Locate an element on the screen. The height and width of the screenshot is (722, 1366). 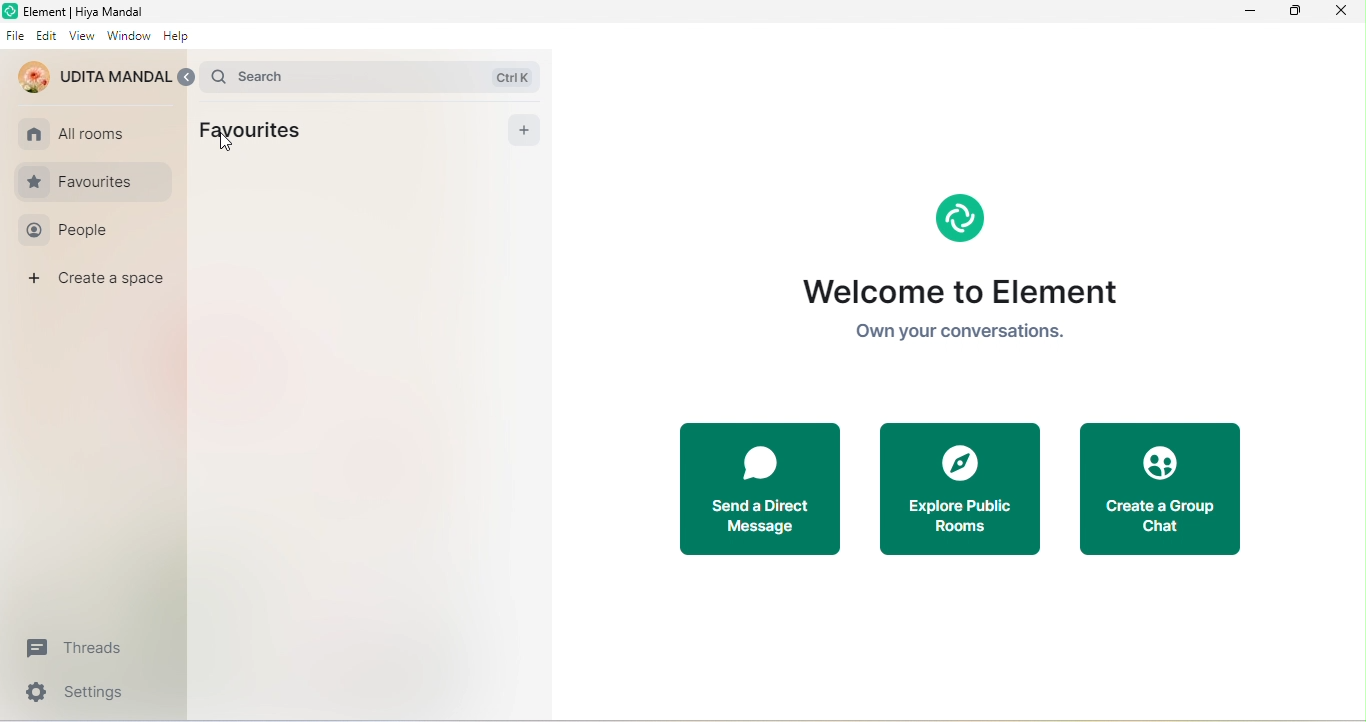
thread is located at coordinates (82, 648).